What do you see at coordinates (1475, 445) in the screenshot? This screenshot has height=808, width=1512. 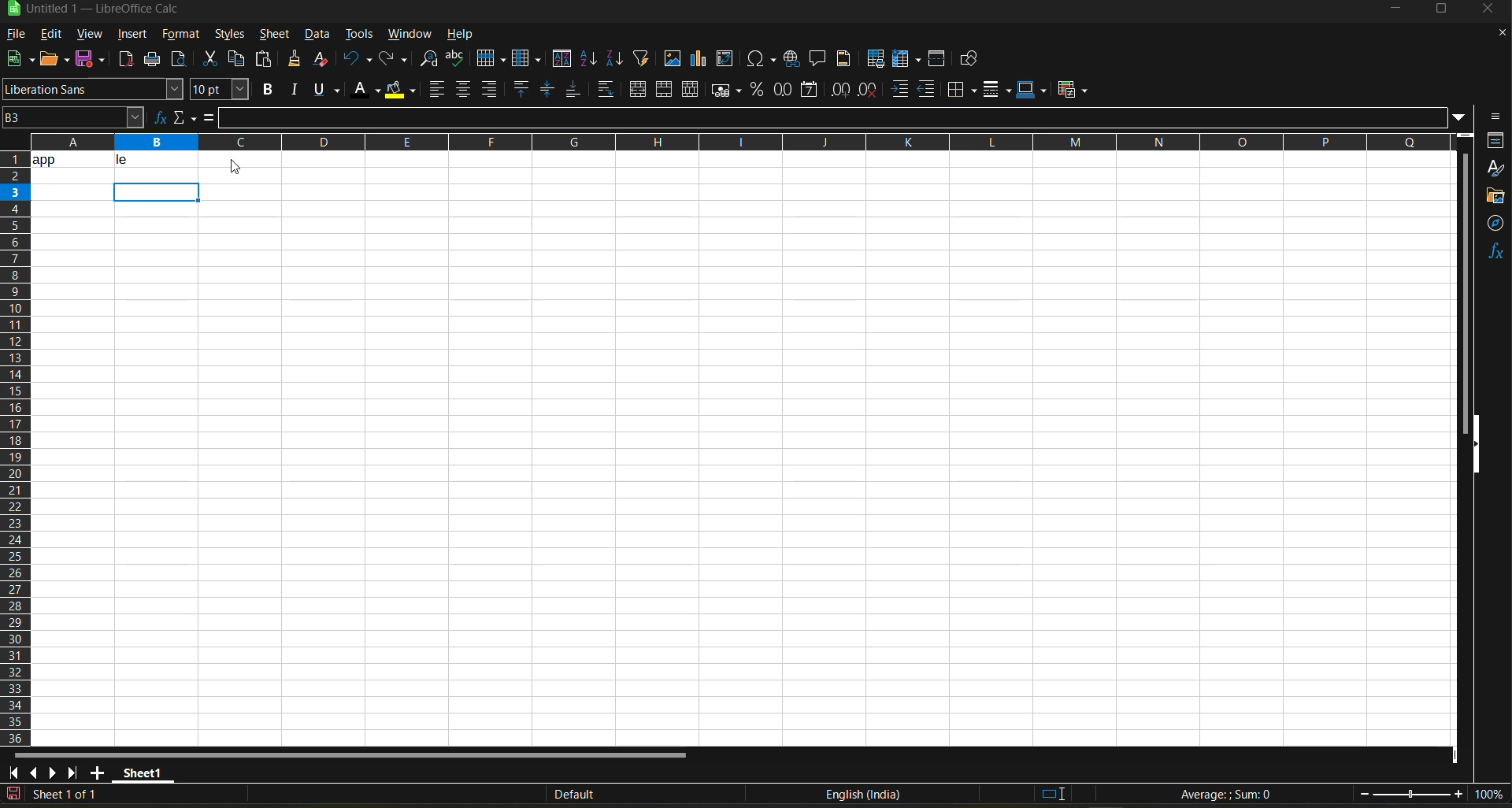 I see `hide` at bounding box center [1475, 445].